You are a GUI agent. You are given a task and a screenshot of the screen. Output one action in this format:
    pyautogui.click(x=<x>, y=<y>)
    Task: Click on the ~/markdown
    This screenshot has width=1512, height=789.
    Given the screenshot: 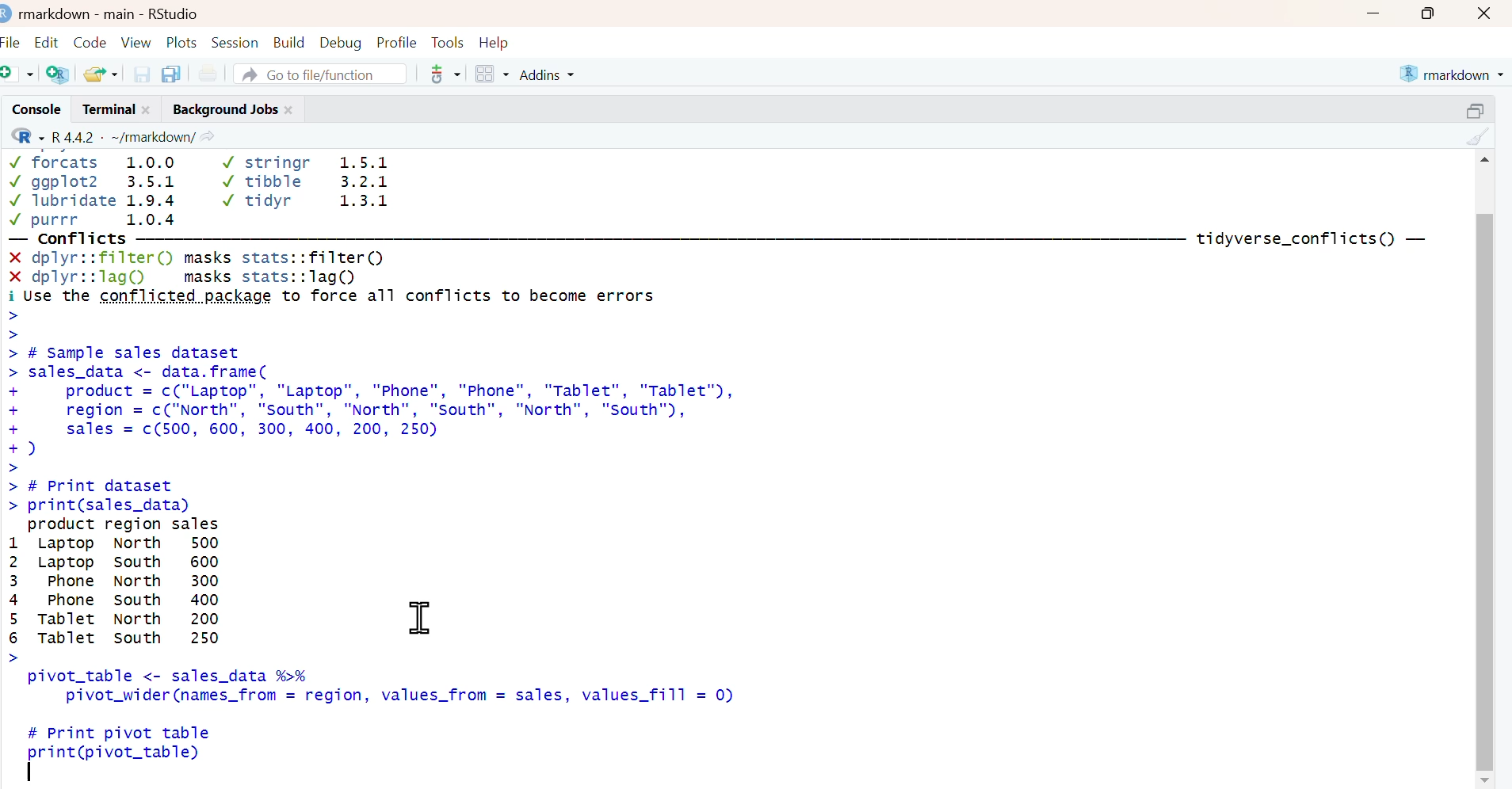 What is the action you would take?
    pyautogui.click(x=151, y=135)
    